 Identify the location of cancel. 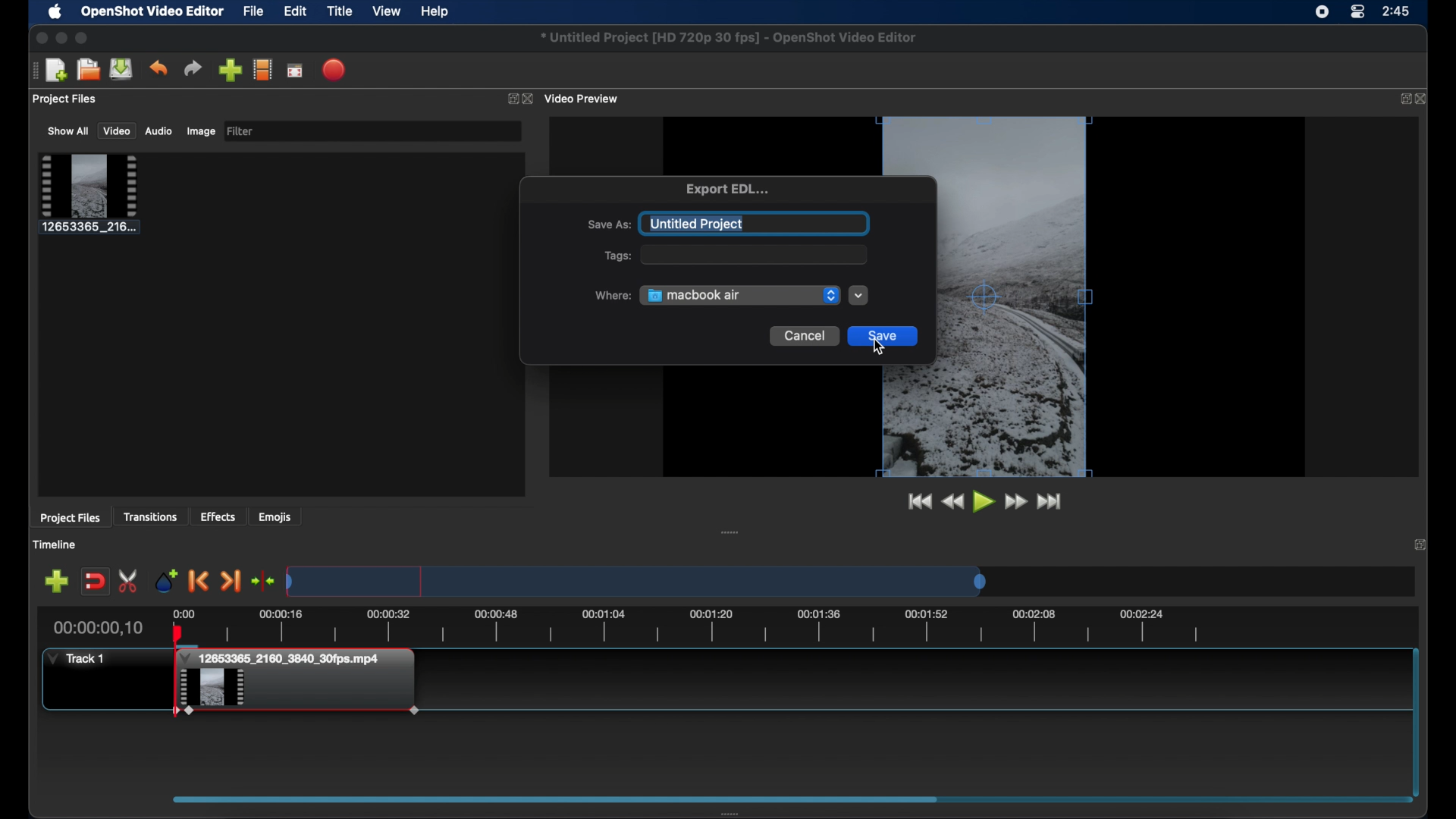
(803, 336).